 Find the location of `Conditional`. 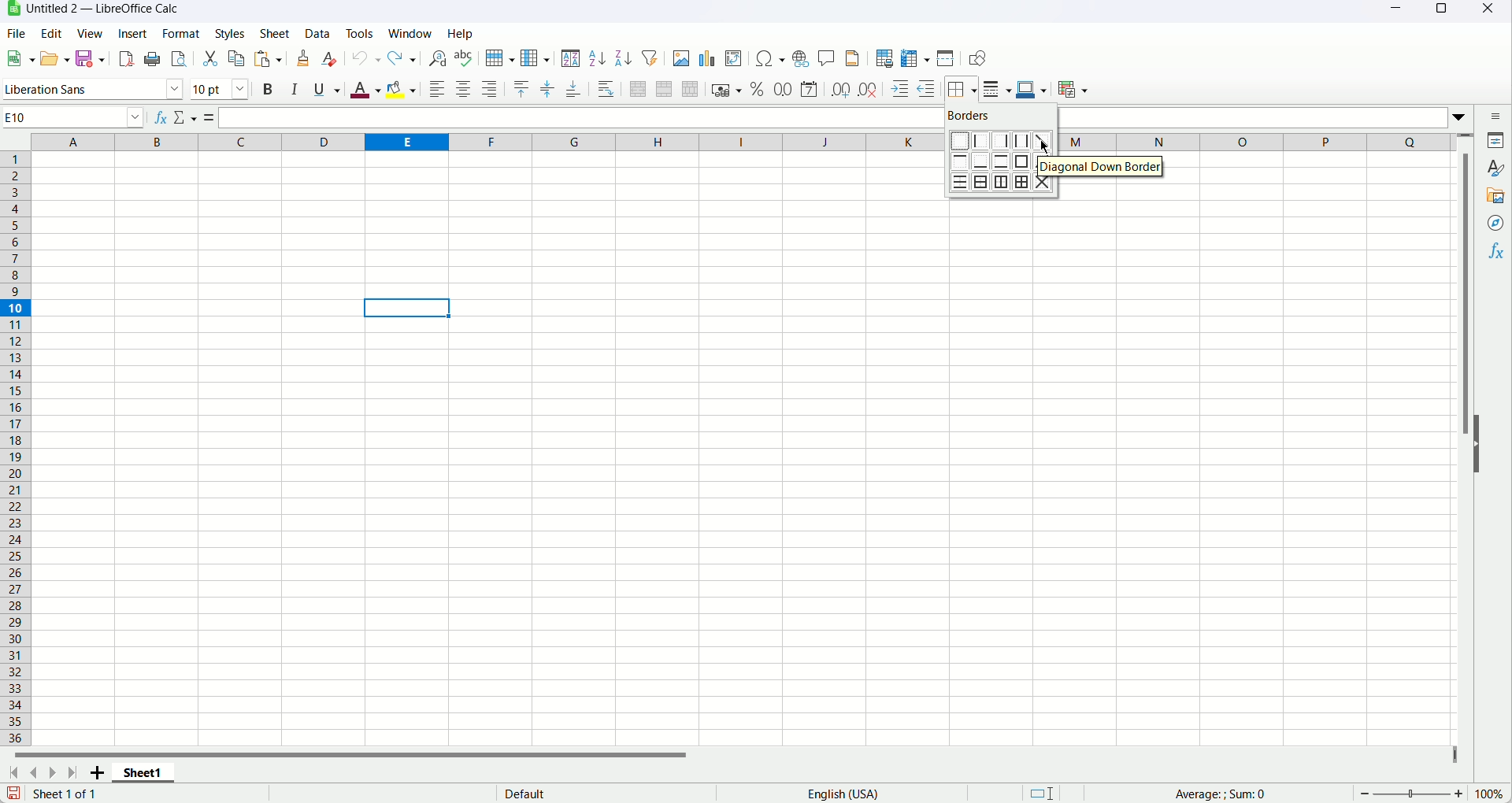

Conditional is located at coordinates (1072, 90).